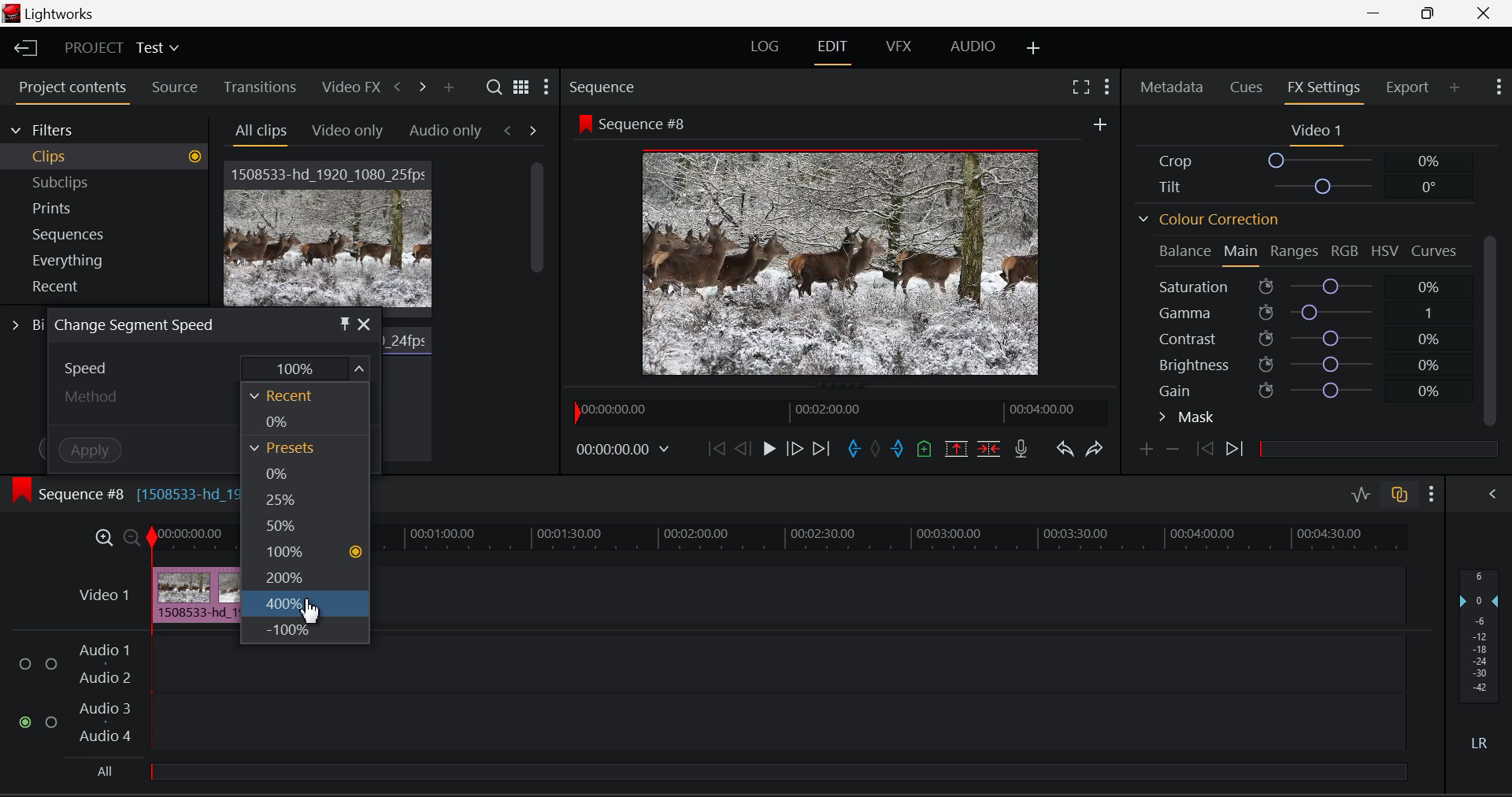 This screenshot has height=797, width=1512. I want to click on Remove keyframe, so click(1173, 451).